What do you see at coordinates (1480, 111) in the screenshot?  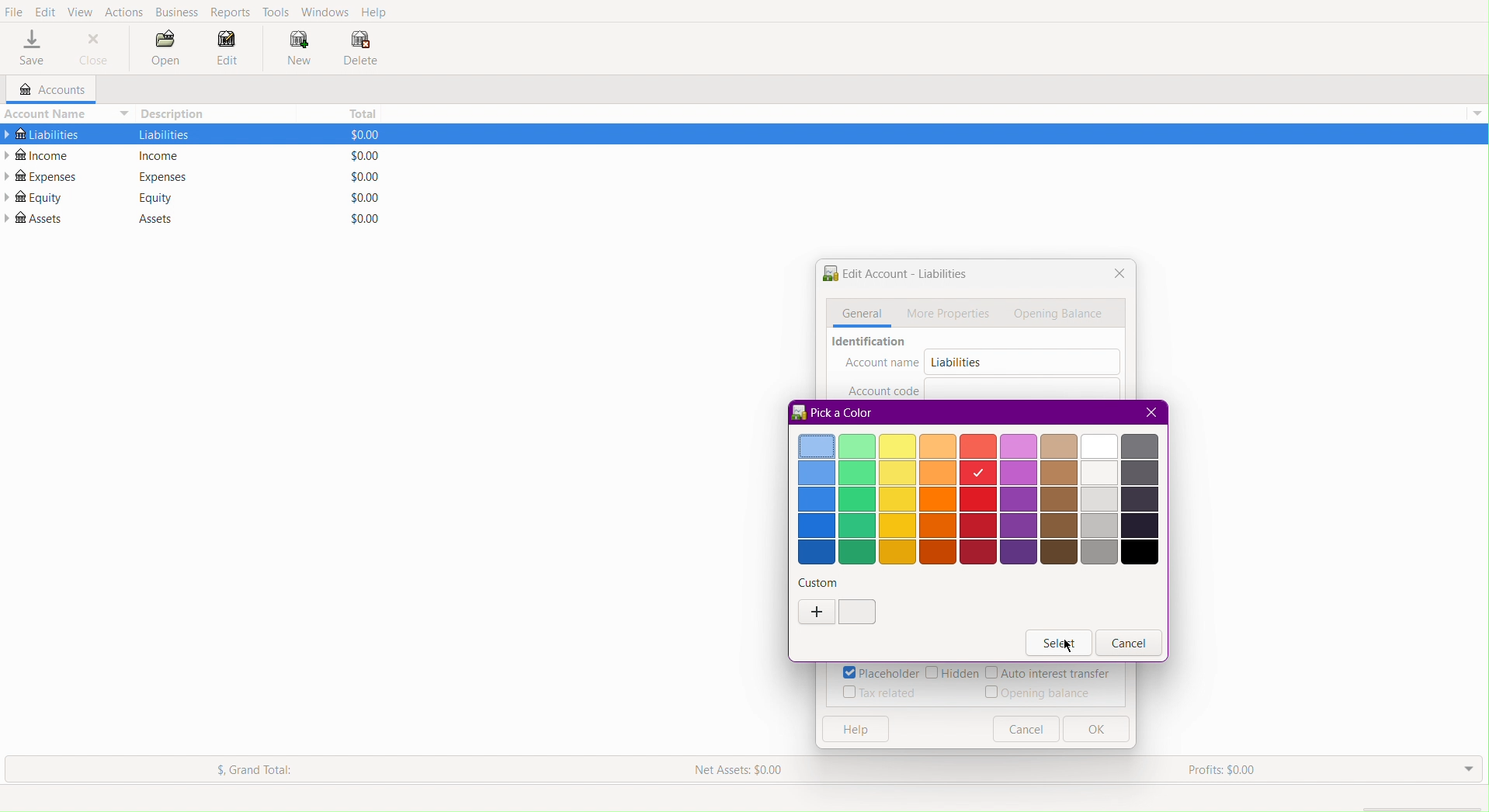 I see `drop down` at bounding box center [1480, 111].